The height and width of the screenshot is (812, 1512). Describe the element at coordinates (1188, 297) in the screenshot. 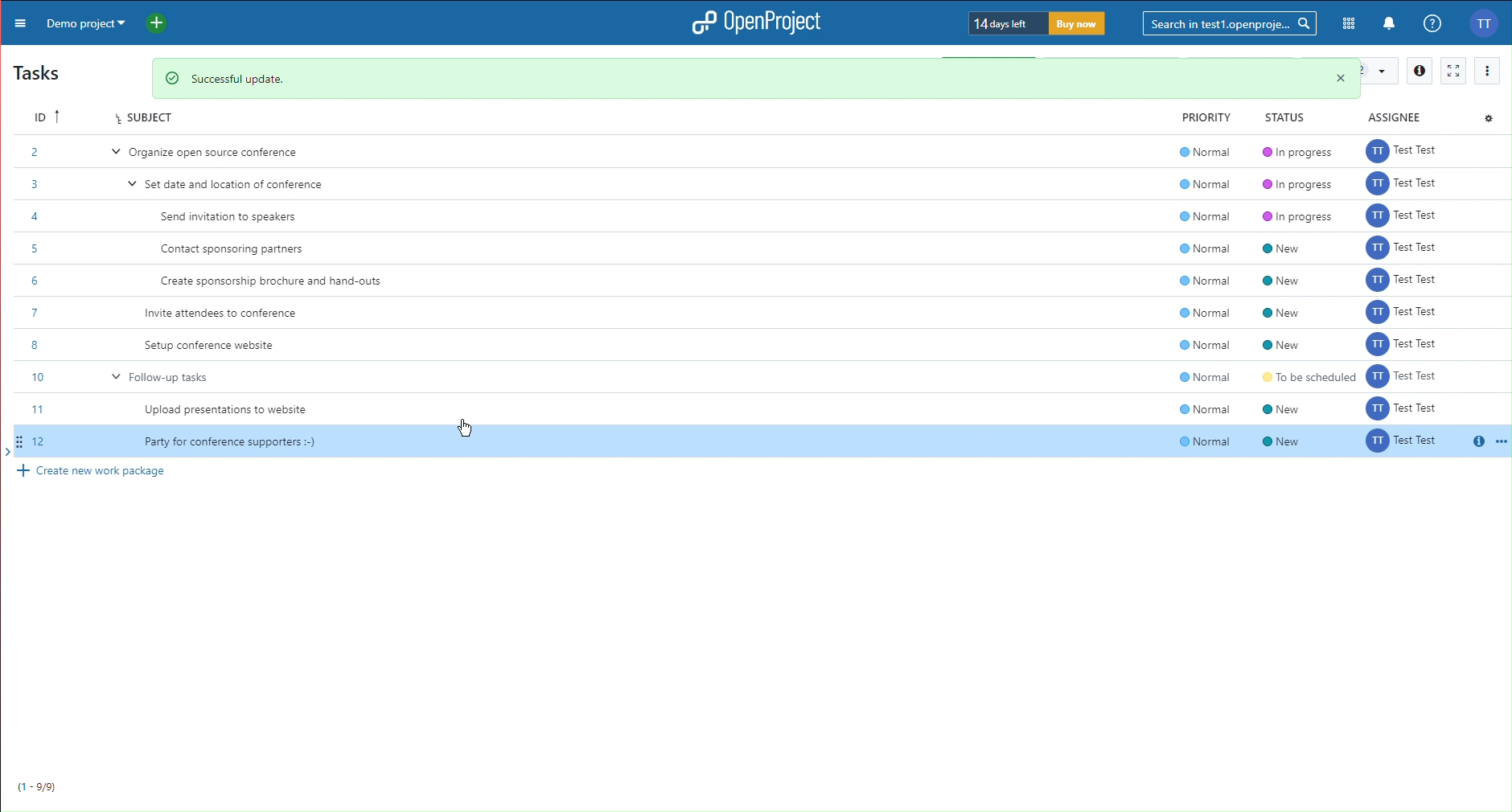

I see `normal` at that location.